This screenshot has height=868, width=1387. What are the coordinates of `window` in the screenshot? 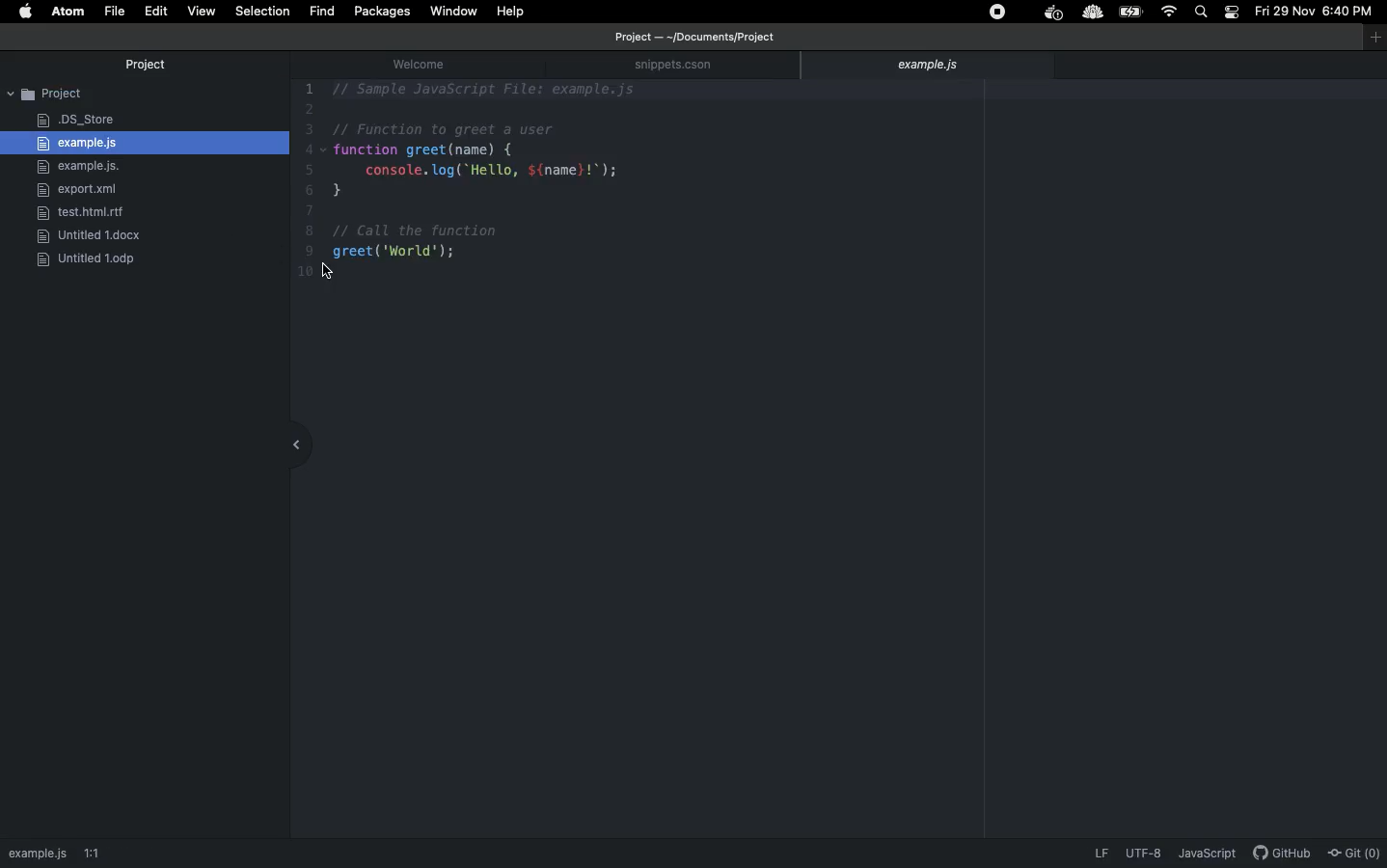 It's located at (1368, 39).